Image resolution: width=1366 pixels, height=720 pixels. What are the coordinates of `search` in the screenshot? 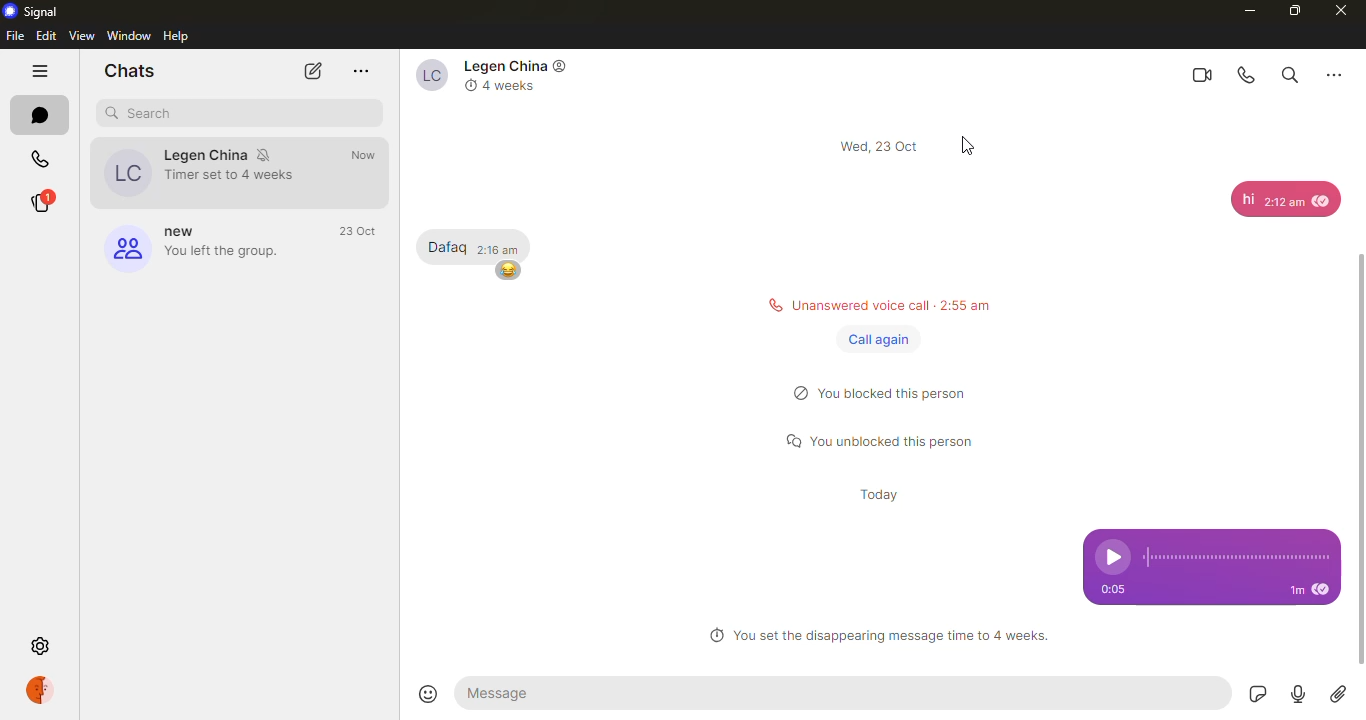 It's located at (1290, 74).